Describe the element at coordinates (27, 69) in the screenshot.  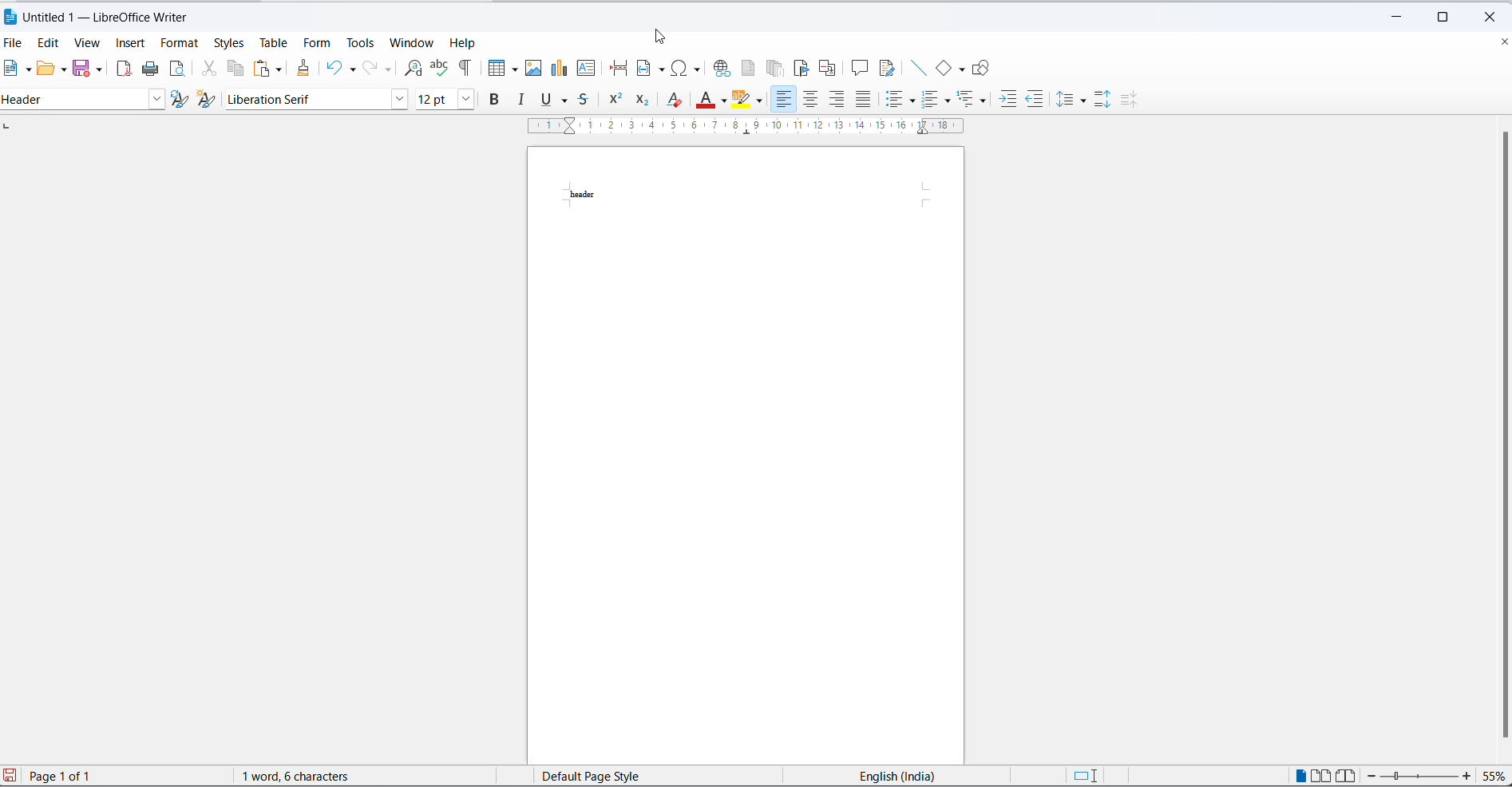
I see `new file options` at that location.